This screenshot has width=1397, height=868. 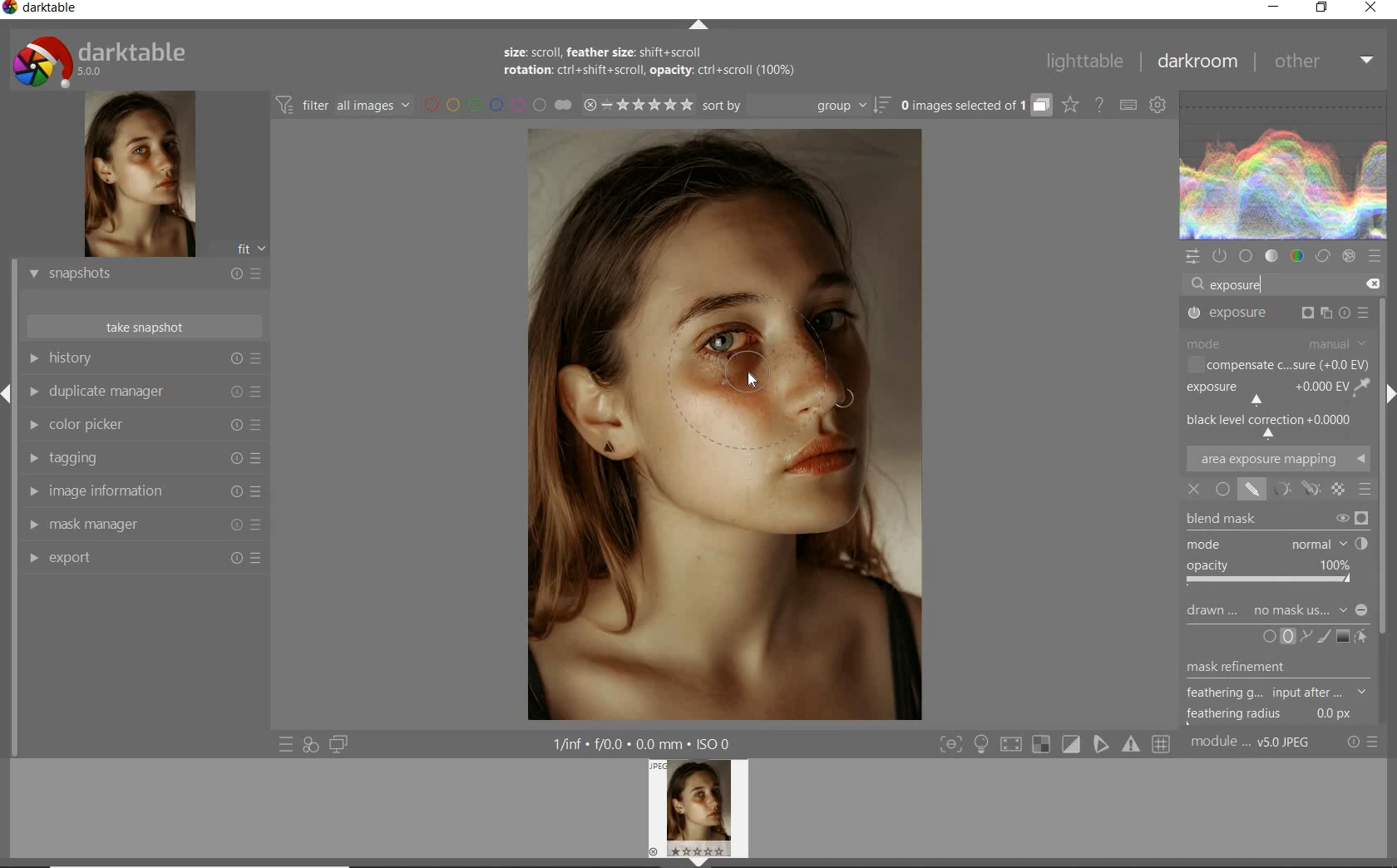 What do you see at coordinates (763, 381) in the screenshot?
I see `DRAWN MASK` at bounding box center [763, 381].